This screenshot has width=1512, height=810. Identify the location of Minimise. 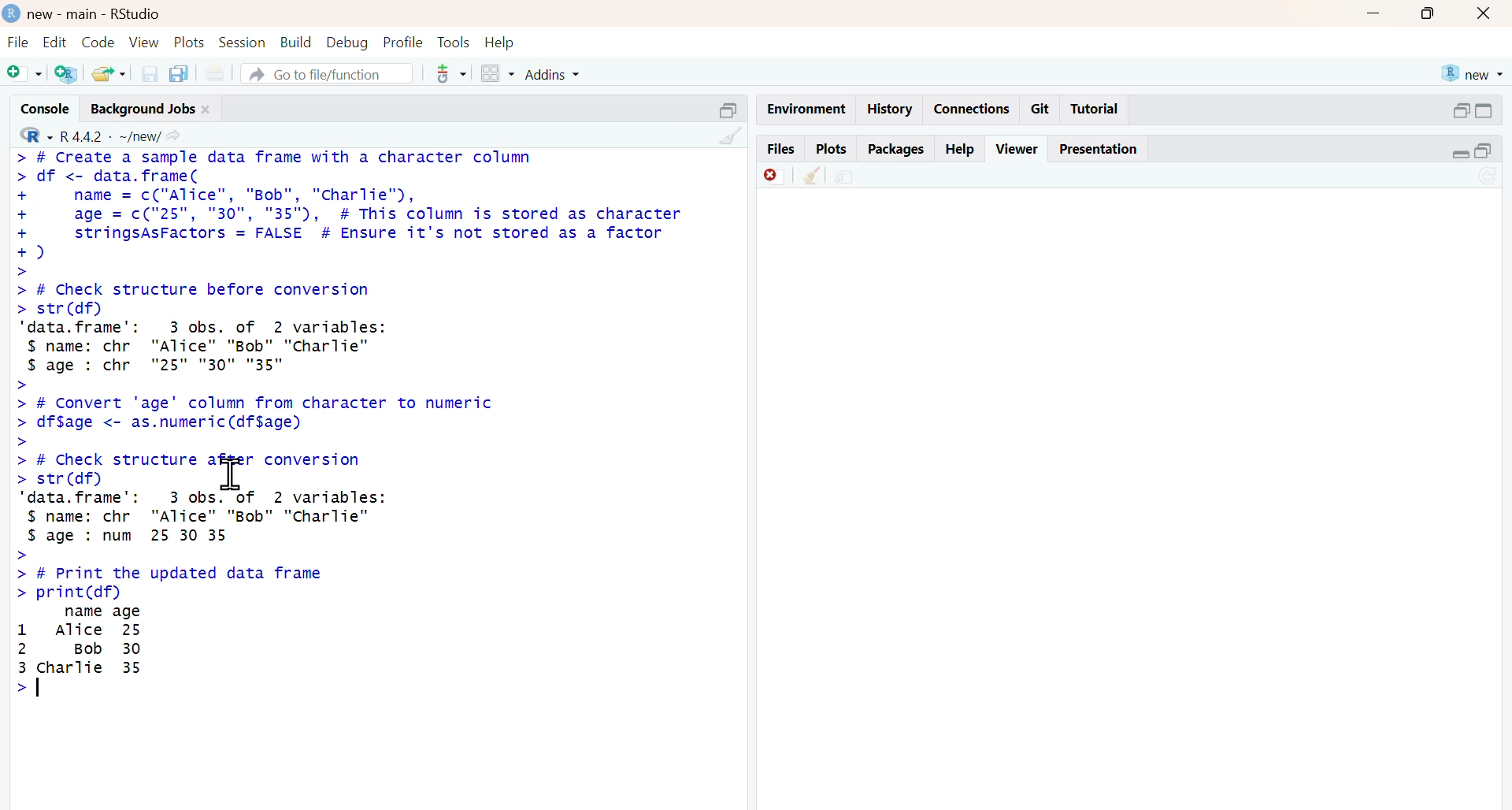
(1373, 12).